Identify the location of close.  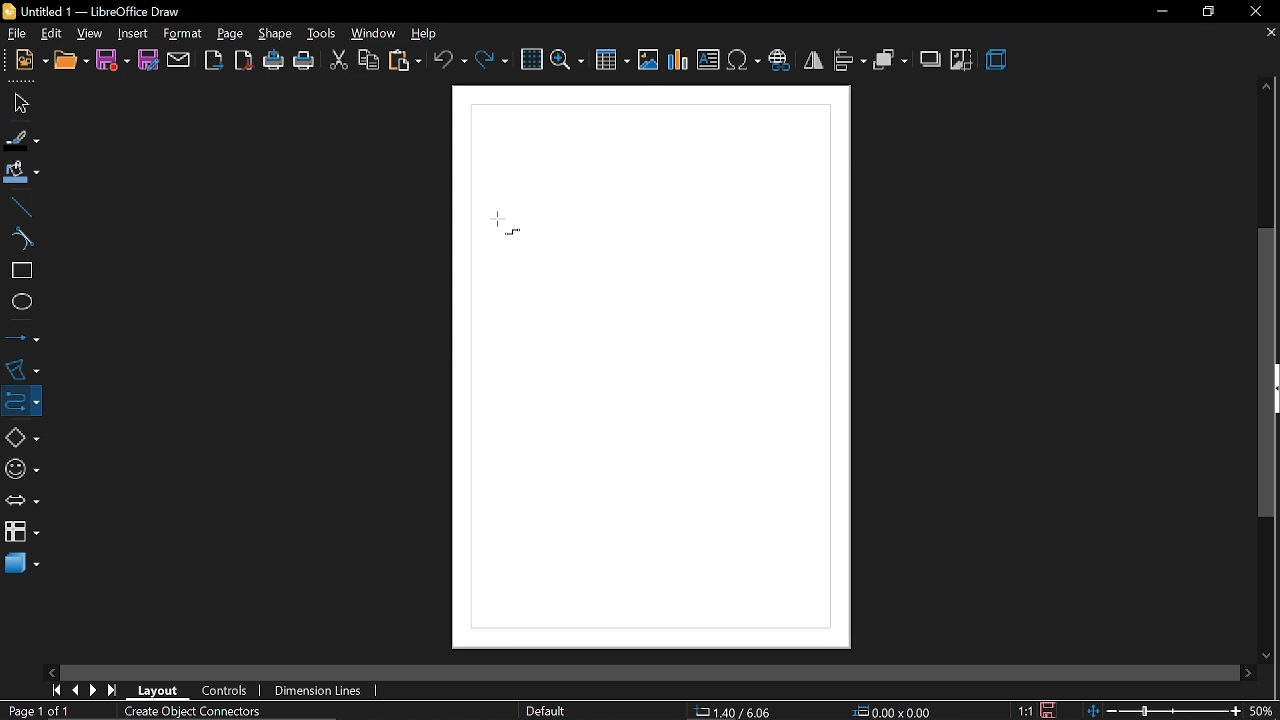
(1253, 11).